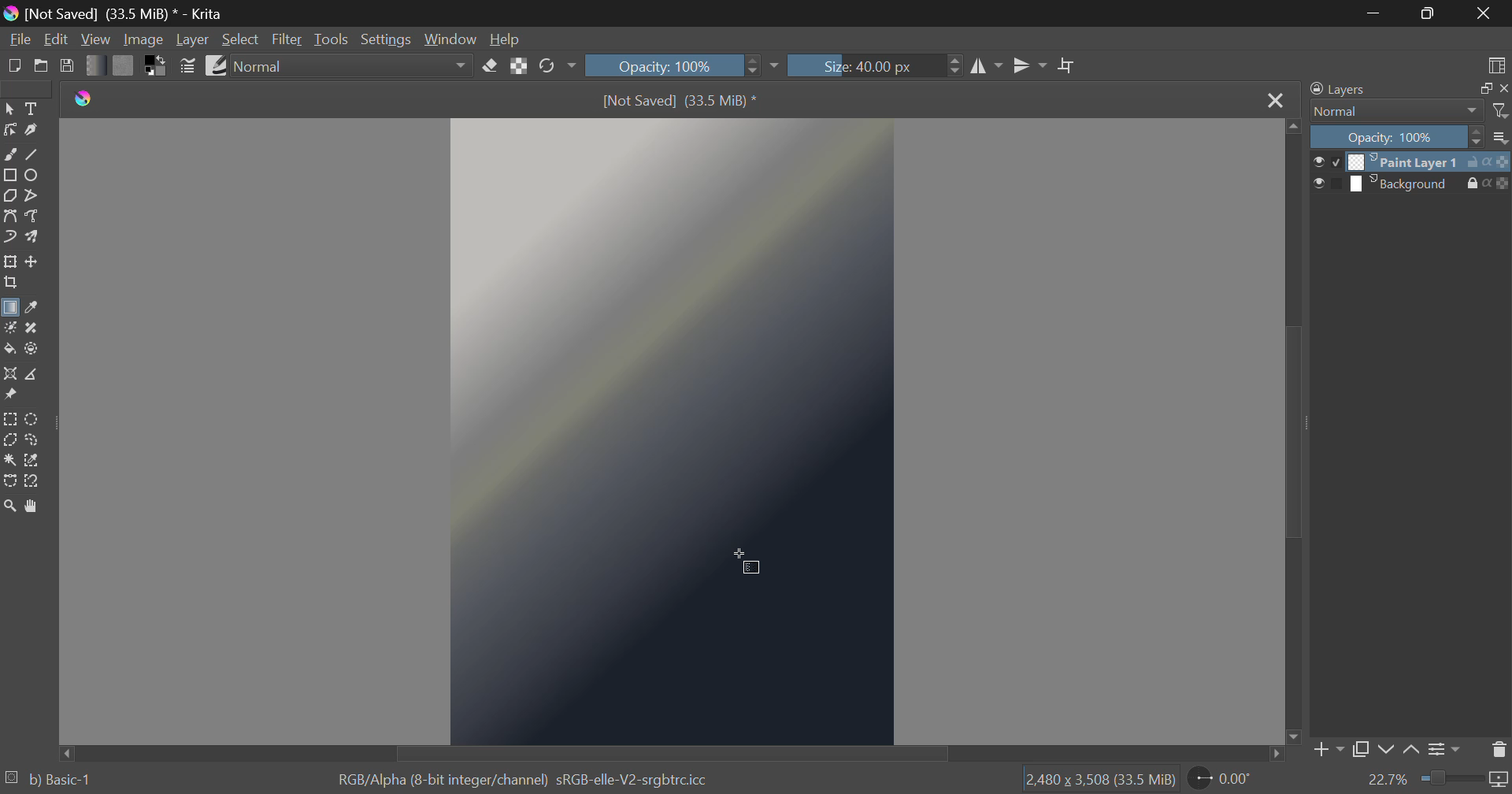 This screenshot has height=794, width=1512. Describe the element at coordinates (670, 331) in the screenshot. I see `Reflective Metallic Gradient Applied` at that location.